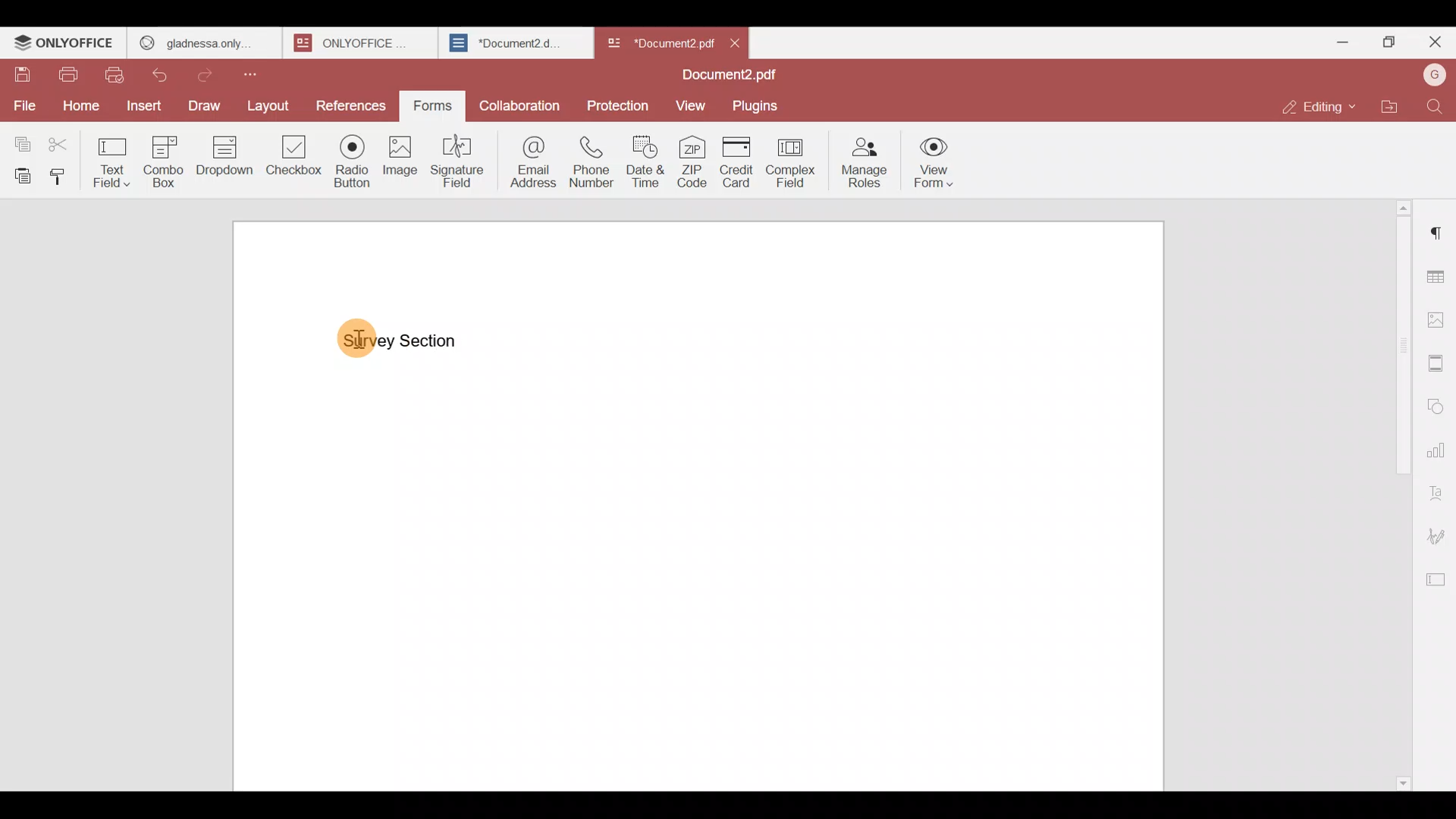 This screenshot has height=819, width=1456. I want to click on ZIP code, so click(695, 160).